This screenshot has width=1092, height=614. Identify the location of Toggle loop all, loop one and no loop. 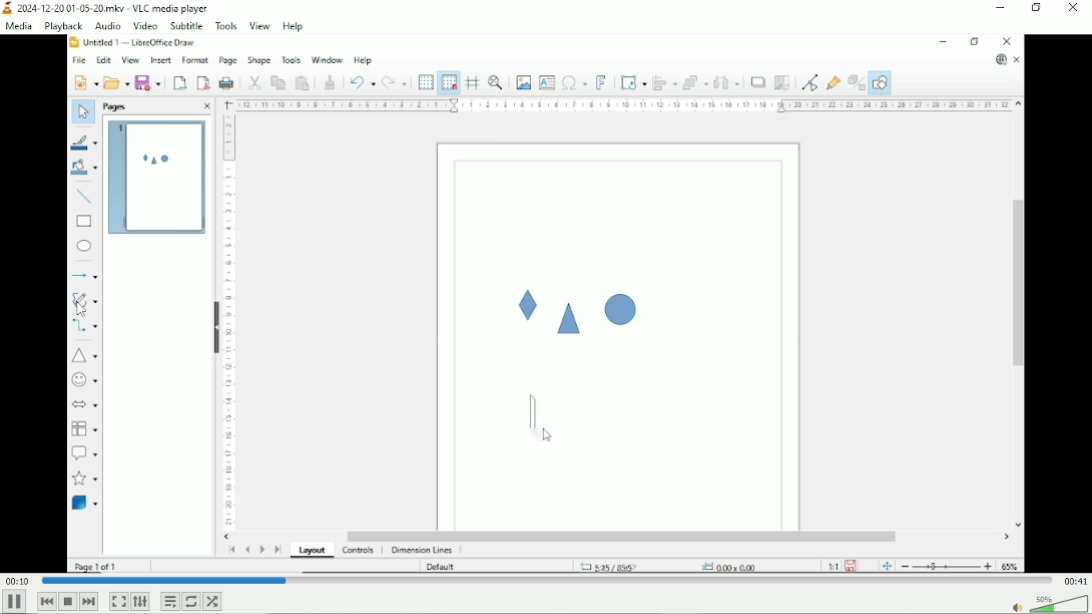
(191, 601).